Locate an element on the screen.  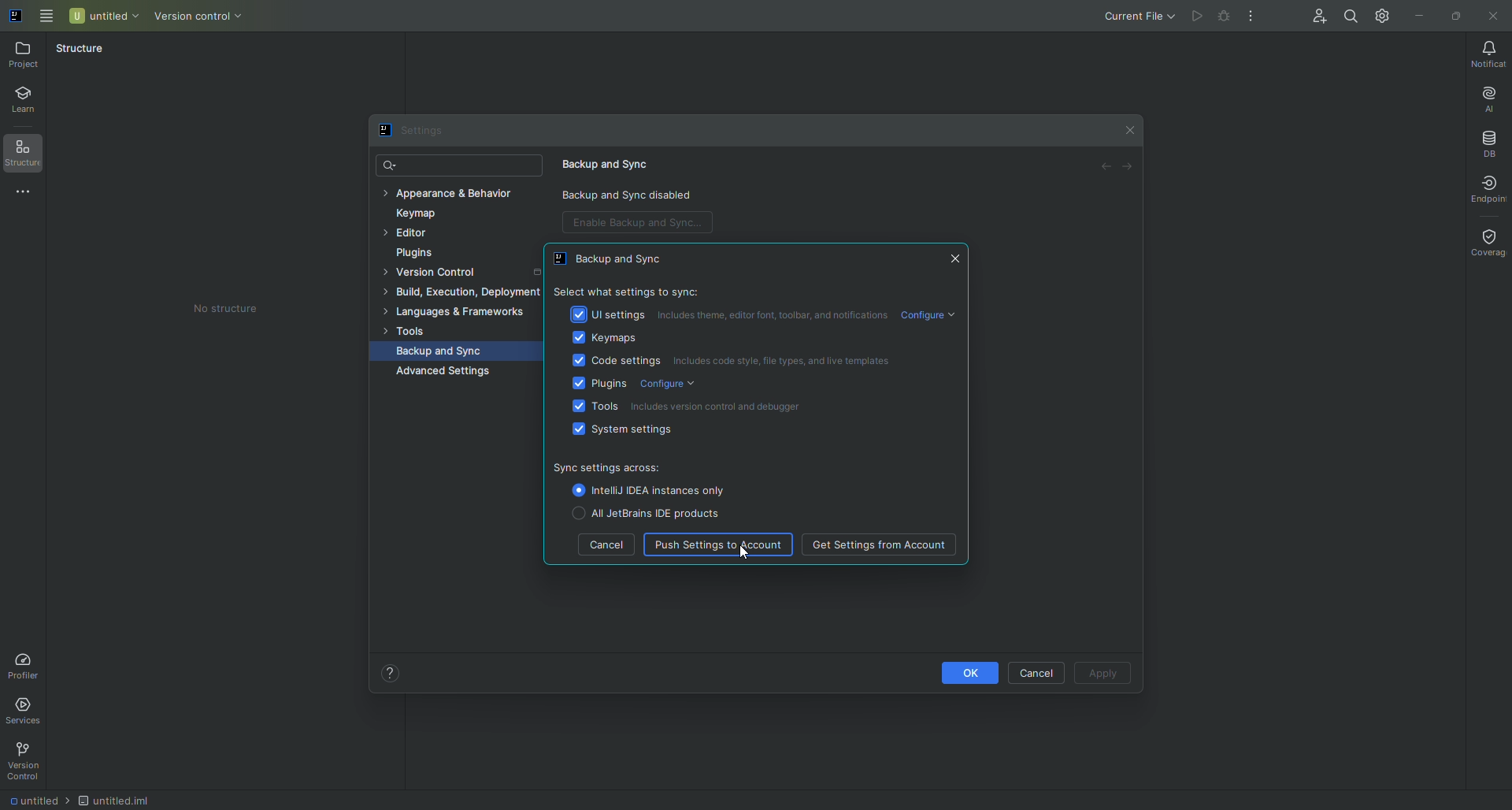
Plugins is located at coordinates (601, 382).